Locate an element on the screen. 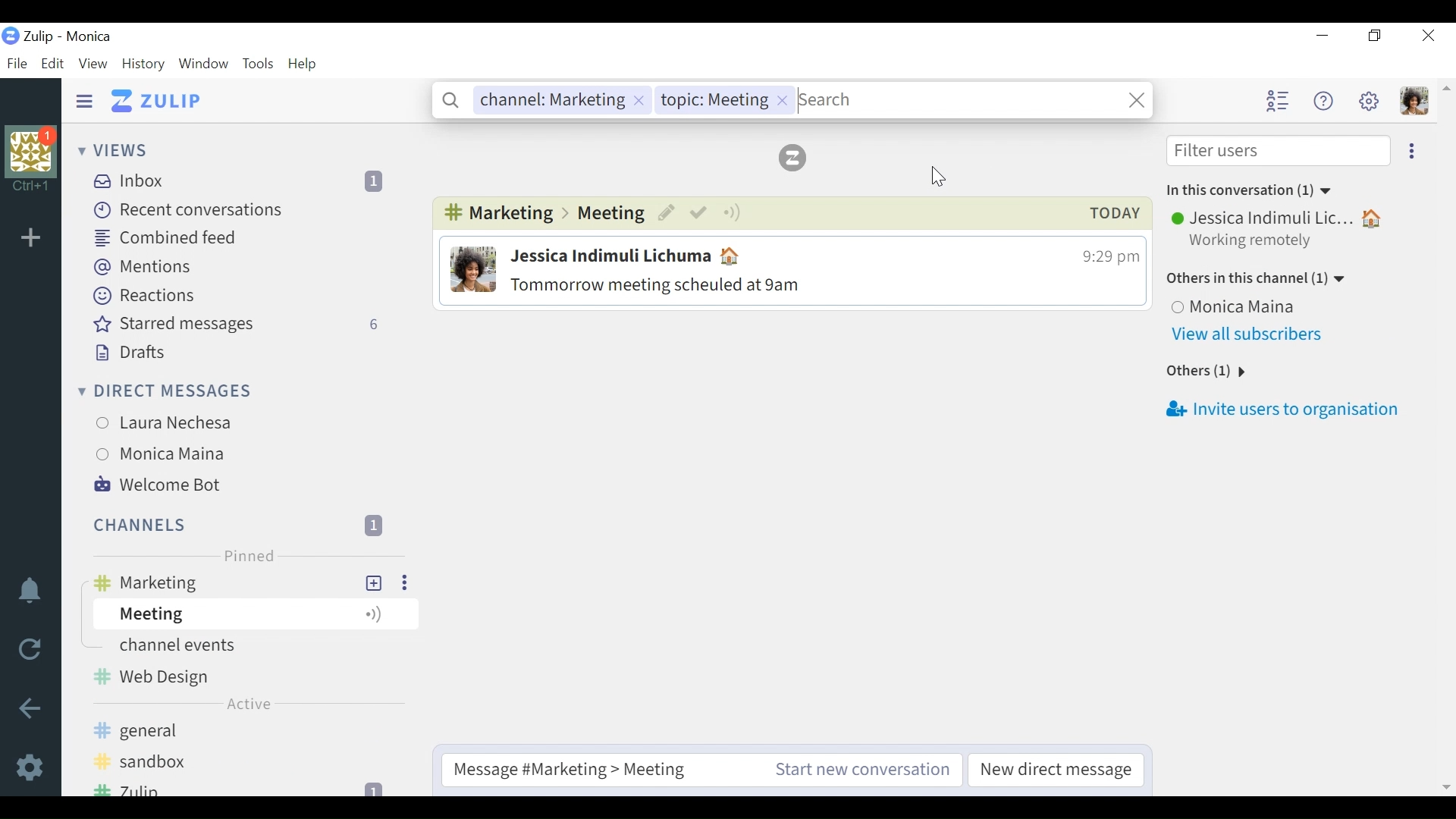  Others in this channel (1) is located at coordinates (1257, 281).